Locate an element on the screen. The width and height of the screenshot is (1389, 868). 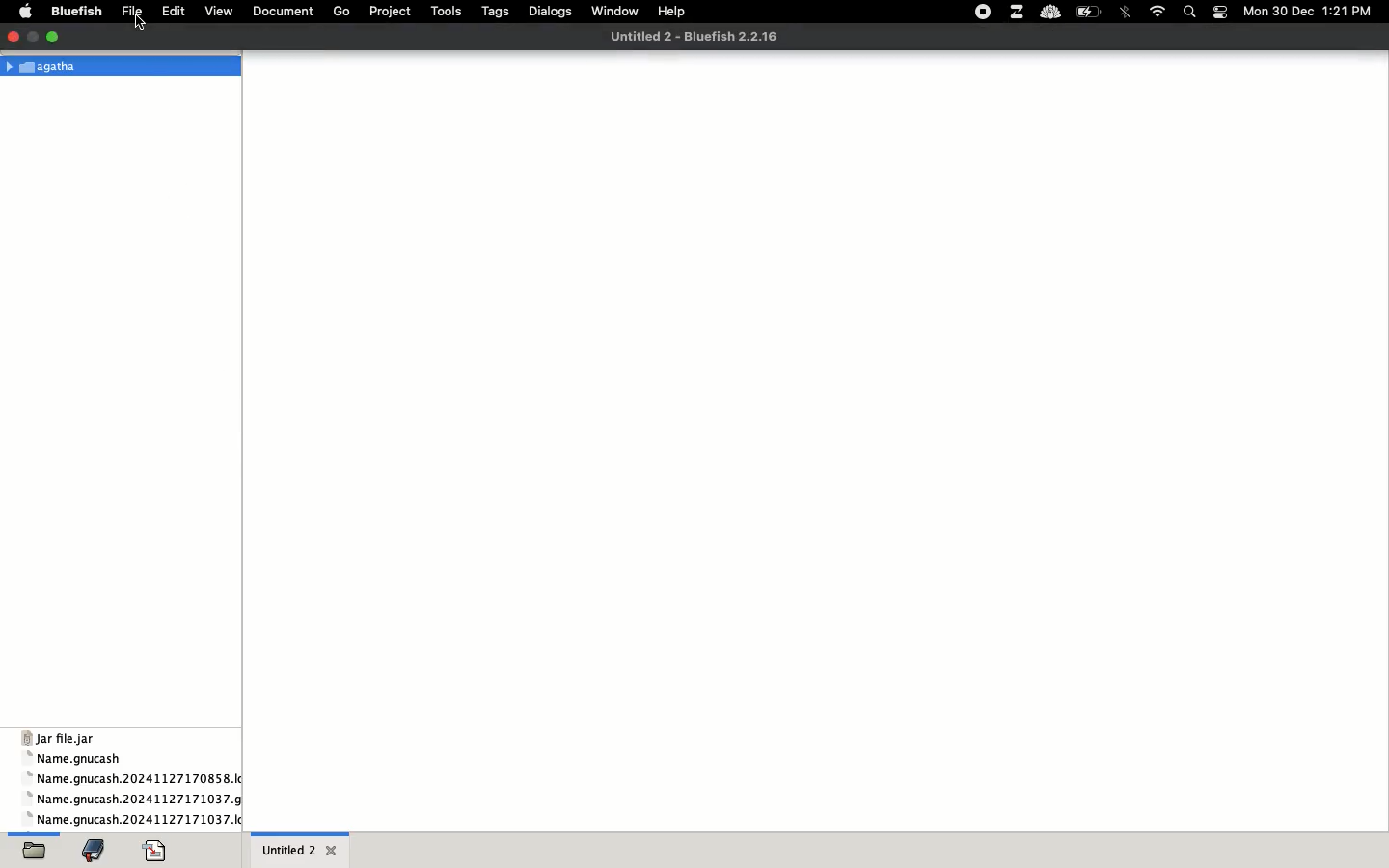
tools is located at coordinates (449, 11).